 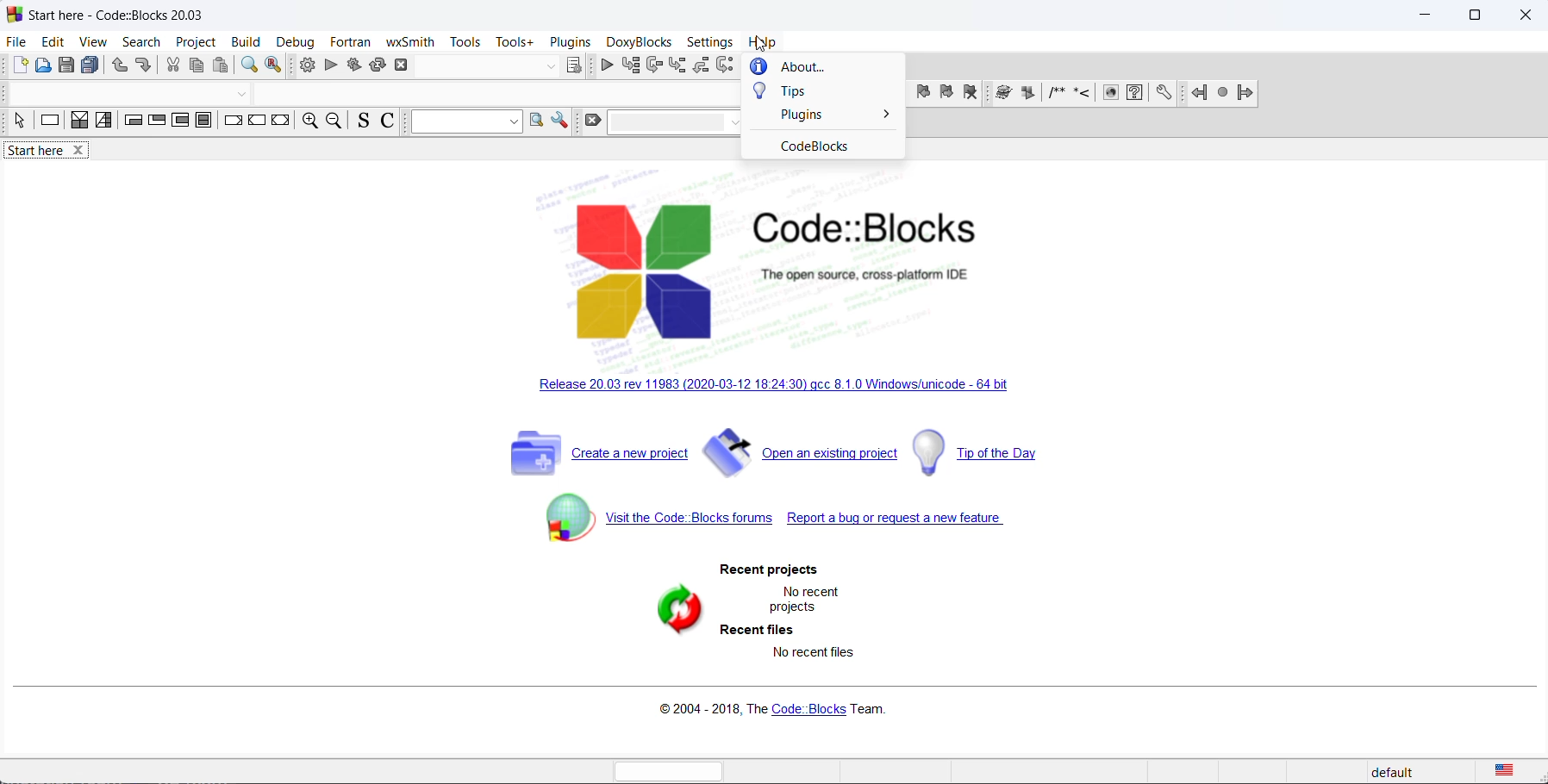 I want to click on copy, so click(x=197, y=66).